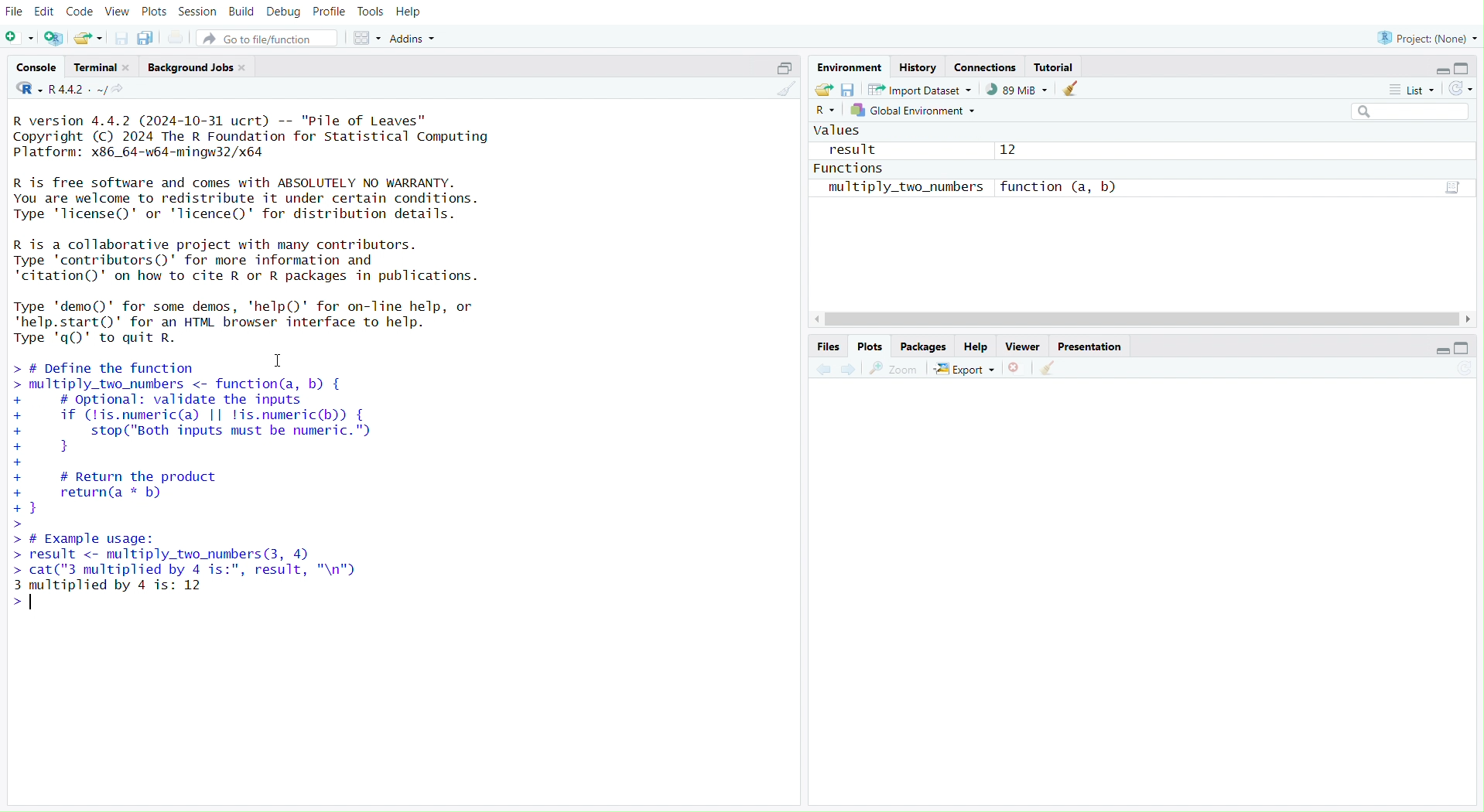 Image resolution: width=1484 pixels, height=812 pixels. What do you see at coordinates (26, 93) in the screenshot?
I see `R` at bounding box center [26, 93].